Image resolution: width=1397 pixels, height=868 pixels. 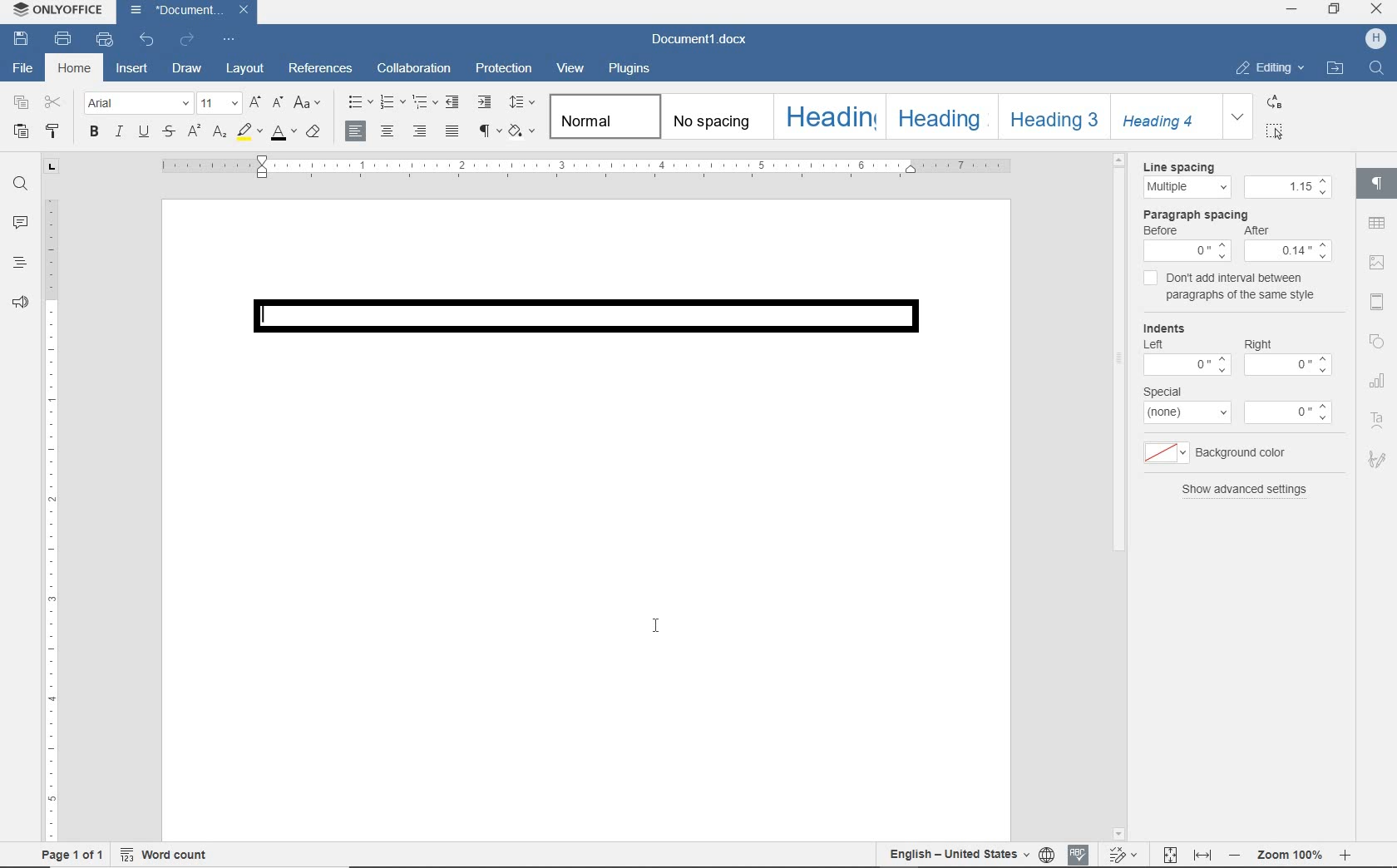 What do you see at coordinates (1114, 354) in the screenshot?
I see `scrollbar` at bounding box center [1114, 354].